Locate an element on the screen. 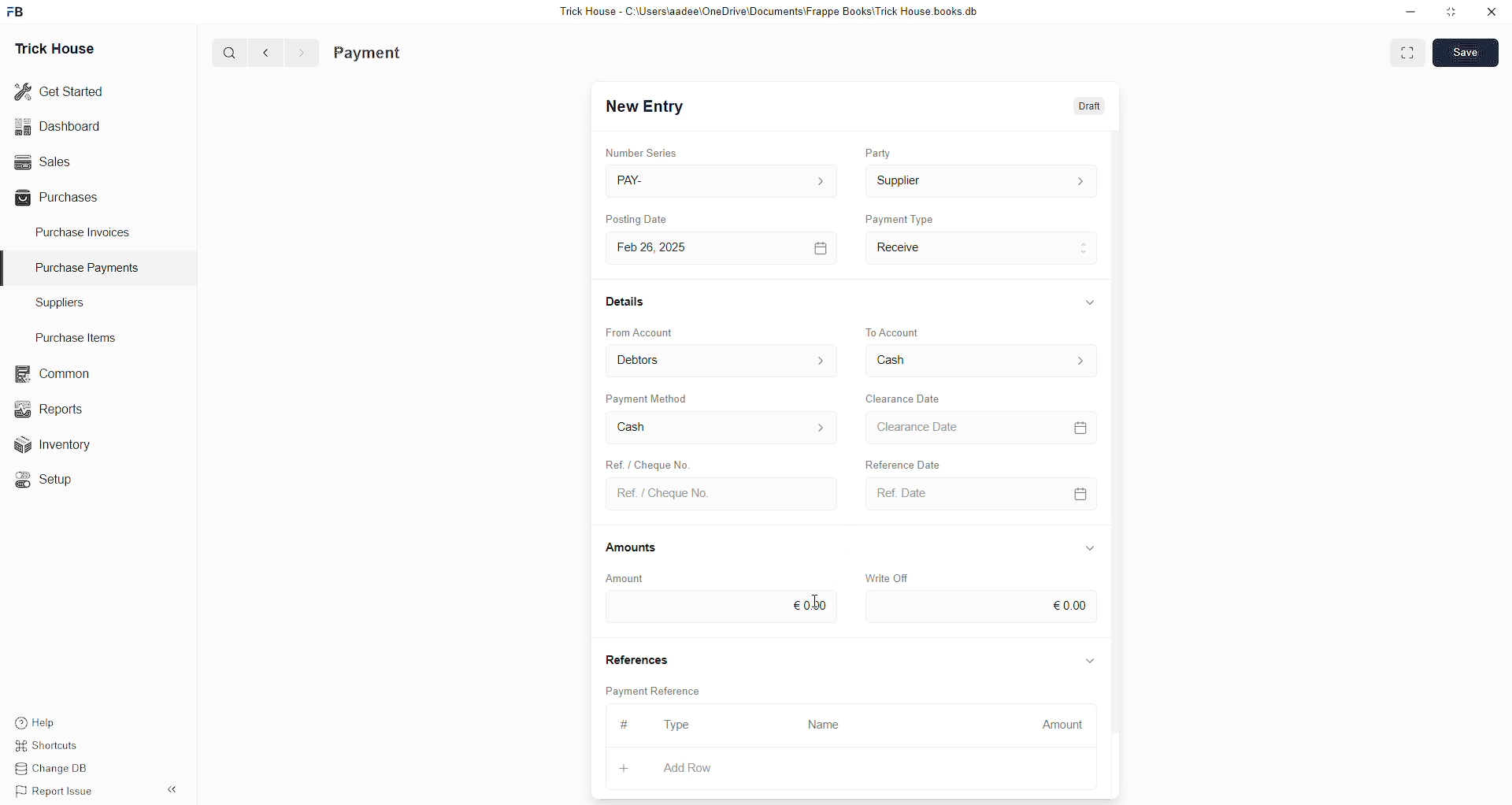 This screenshot has width=1512, height=805. back is located at coordinates (267, 52).